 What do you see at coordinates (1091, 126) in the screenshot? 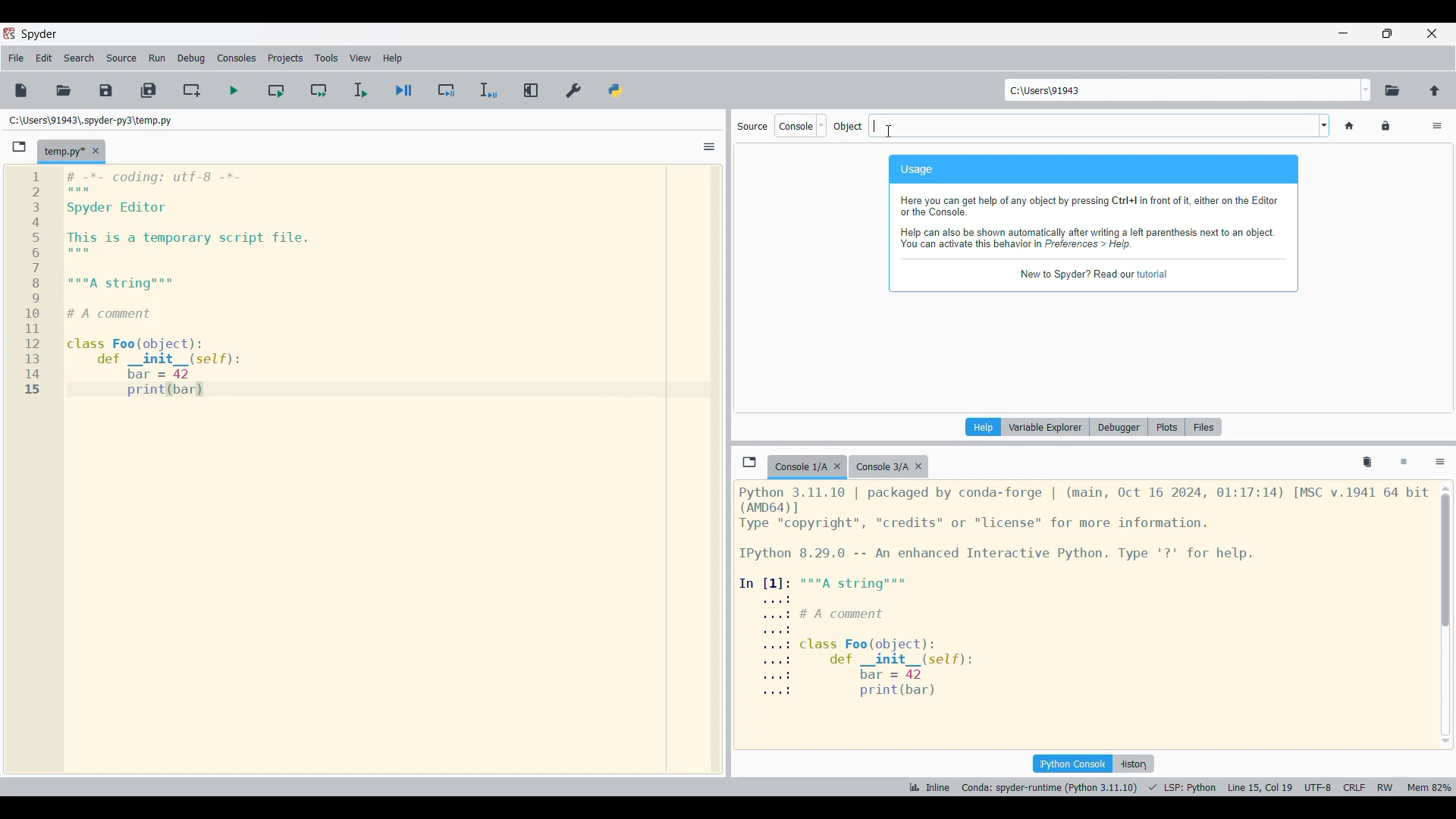
I see `Text box` at bounding box center [1091, 126].